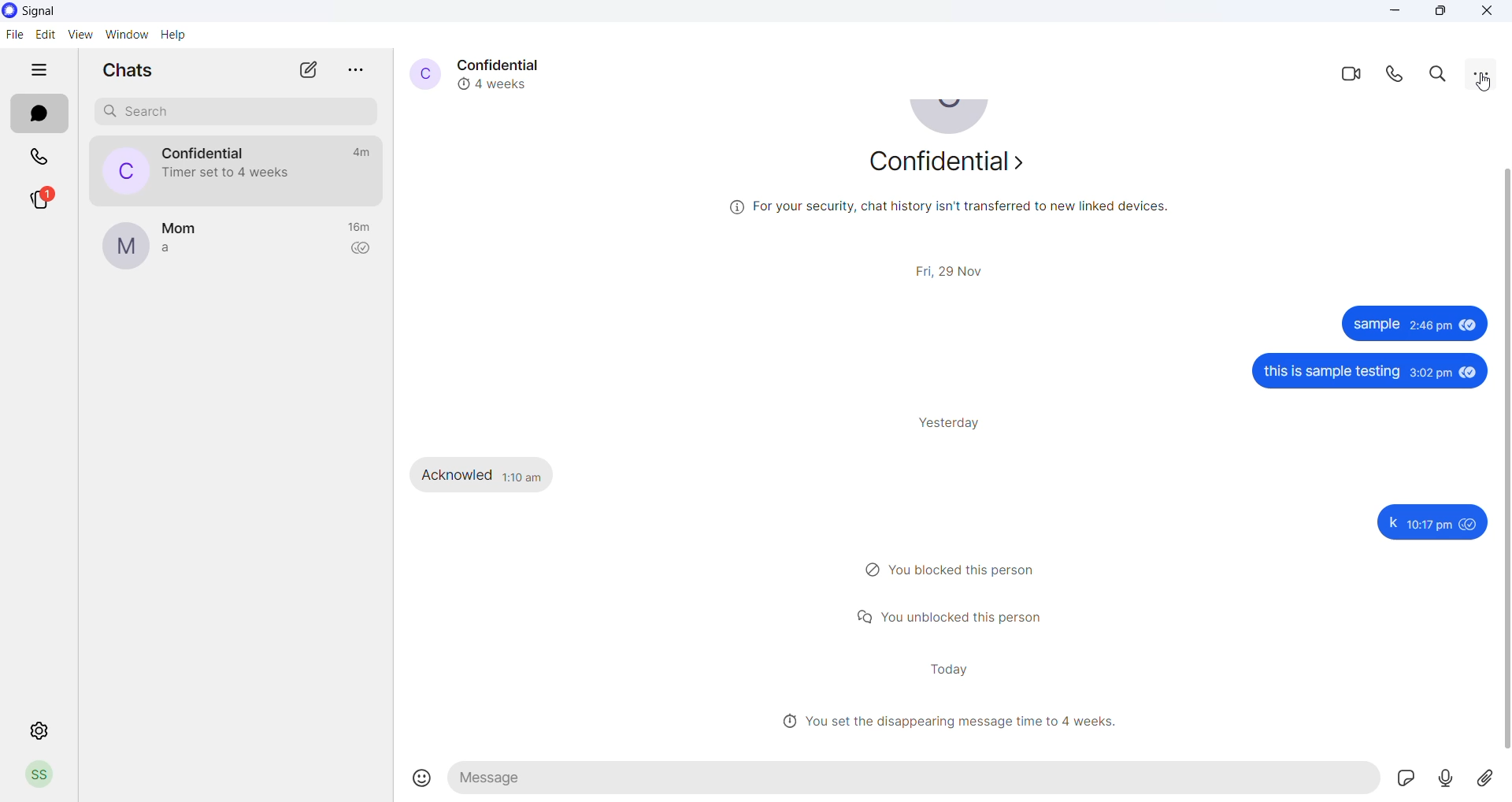 The width and height of the screenshot is (1512, 802). I want to click on about profile, so click(952, 166).